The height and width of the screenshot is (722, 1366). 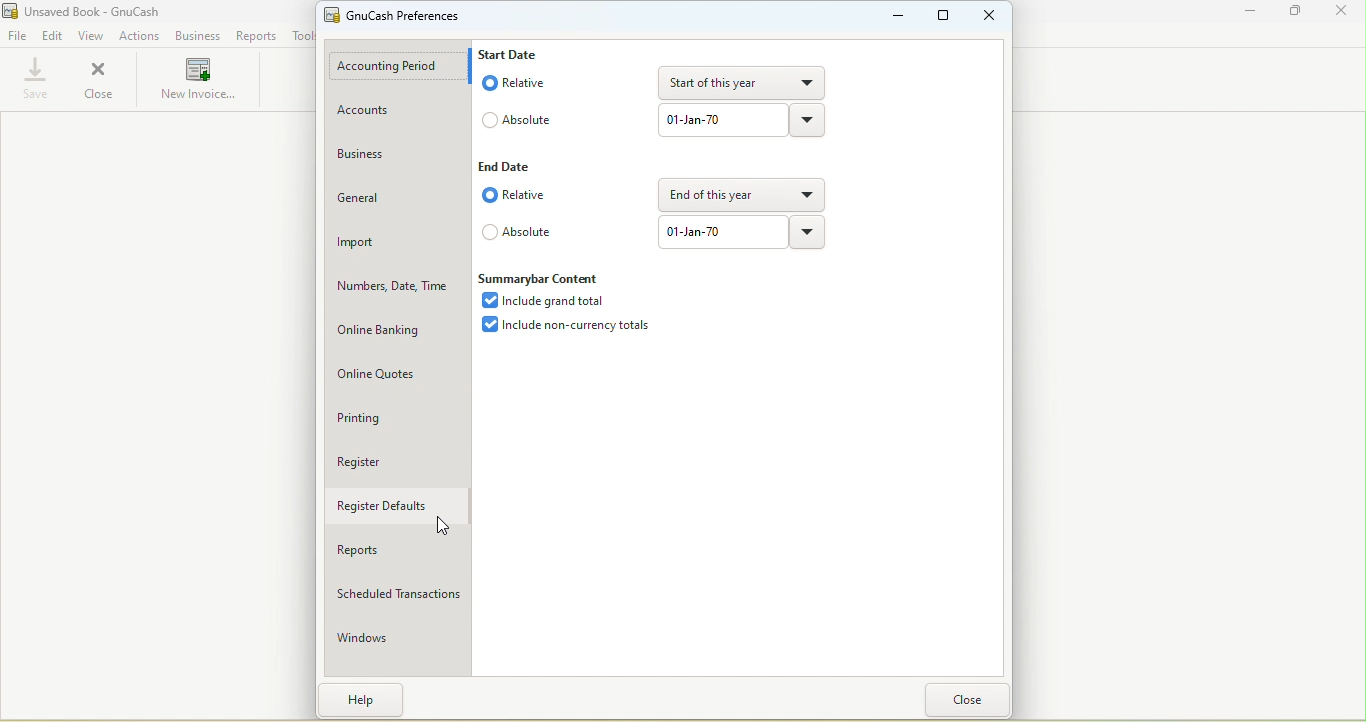 What do you see at coordinates (393, 159) in the screenshot?
I see `Business` at bounding box center [393, 159].